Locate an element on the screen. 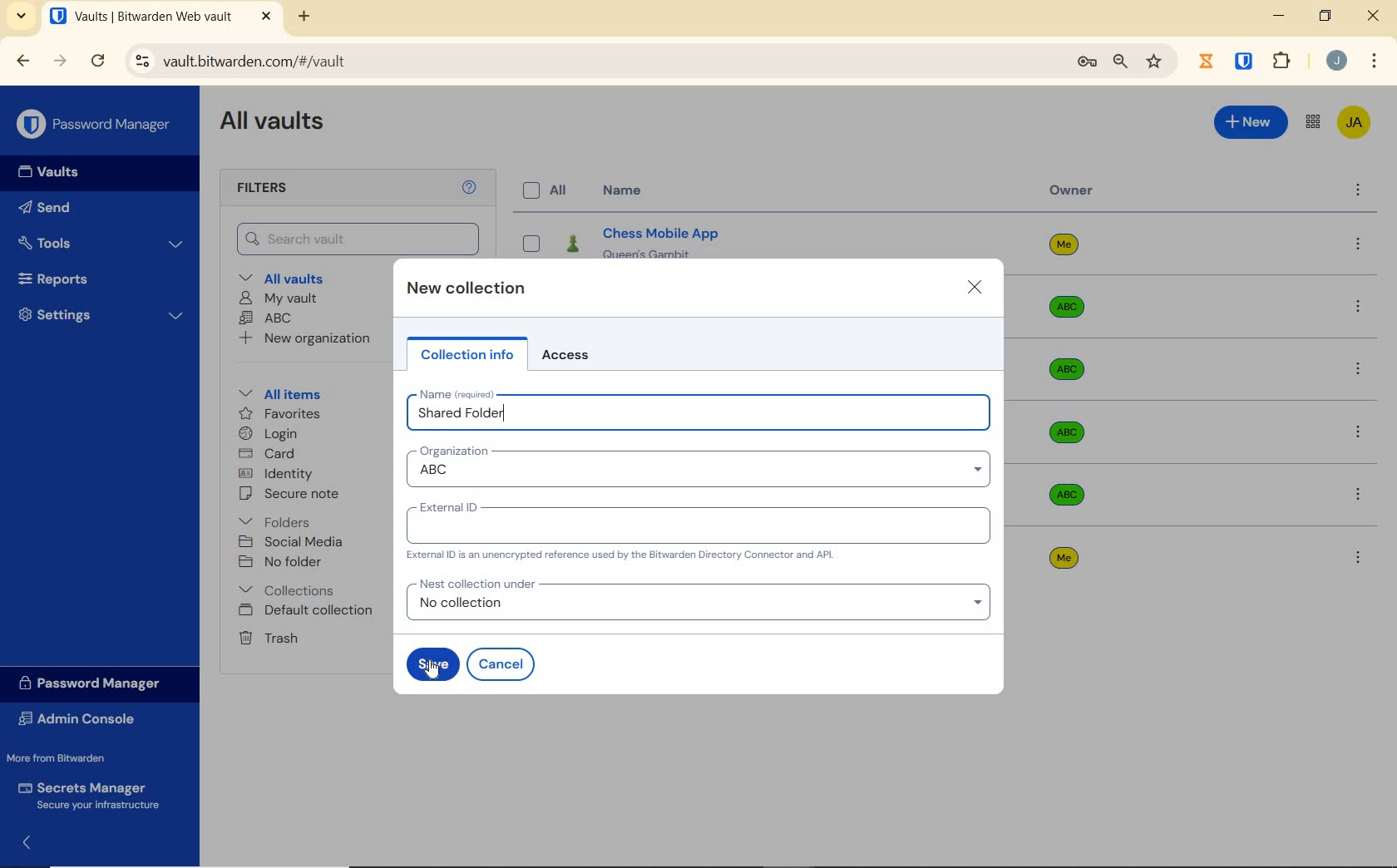 Image resolution: width=1397 pixels, height=868 pixels. zoom is located at coordinates (1121, 62).